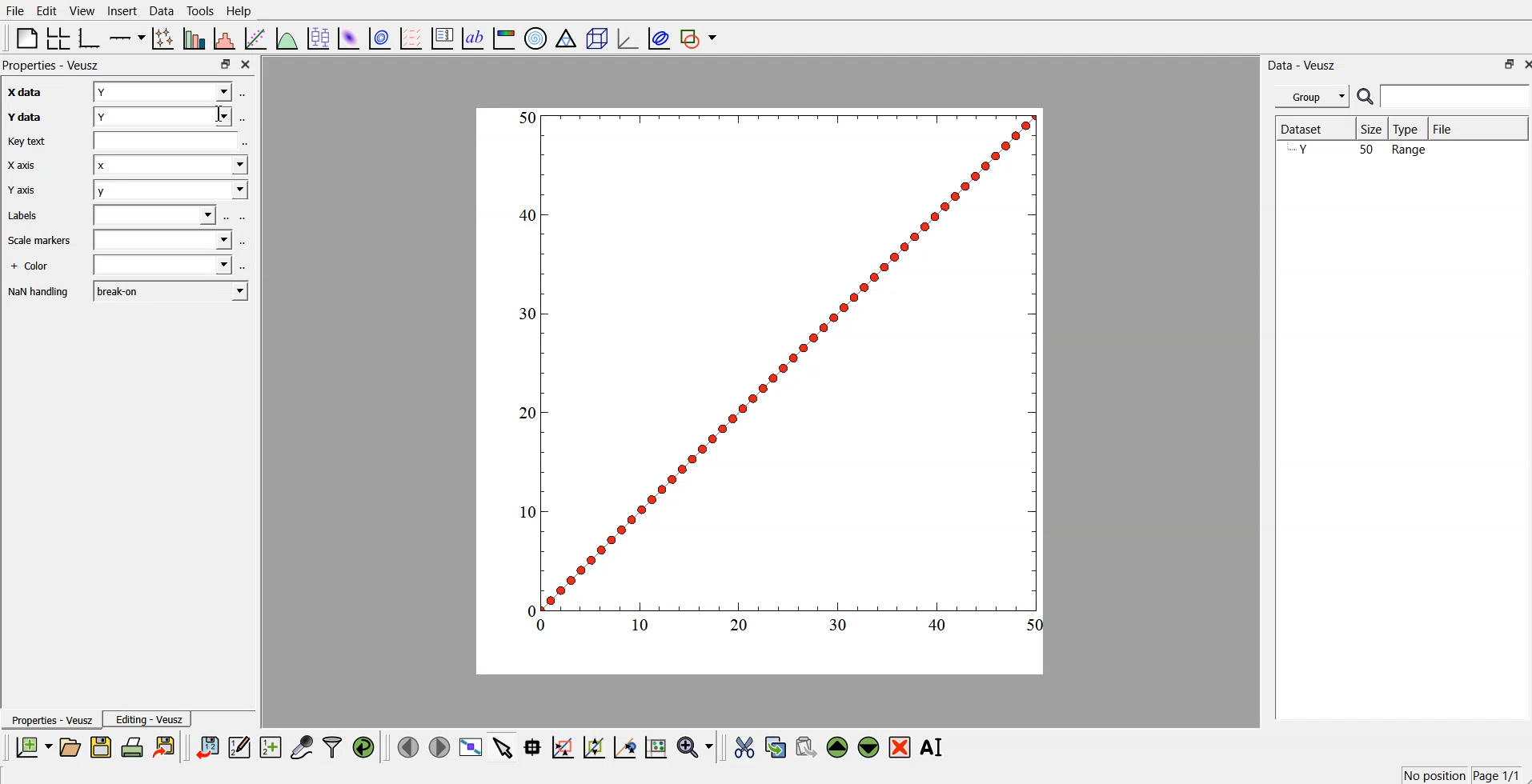 The width and height of the screenshot is (1532, 784). What do you see at coordinates (595, 748) in the screenshot?
I see `click to zoom out graph axes` at bounding box center [595, 748].